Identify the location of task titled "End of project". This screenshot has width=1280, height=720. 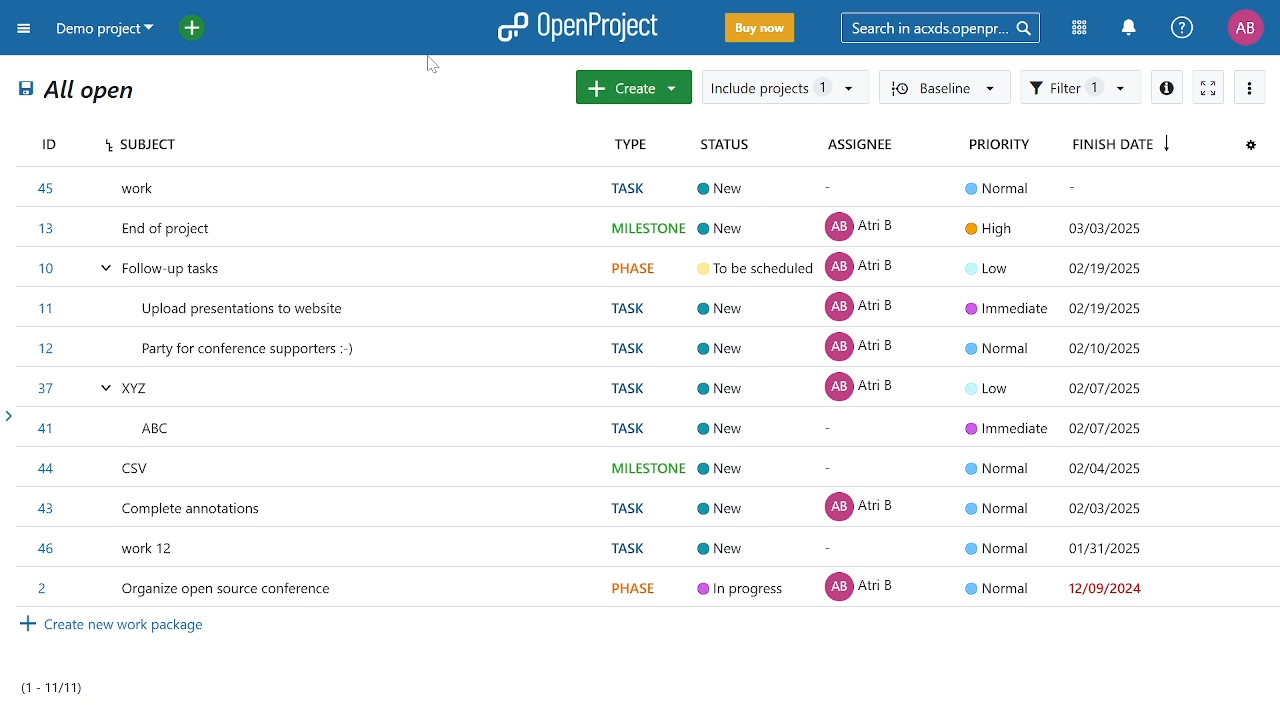
(655, 347).